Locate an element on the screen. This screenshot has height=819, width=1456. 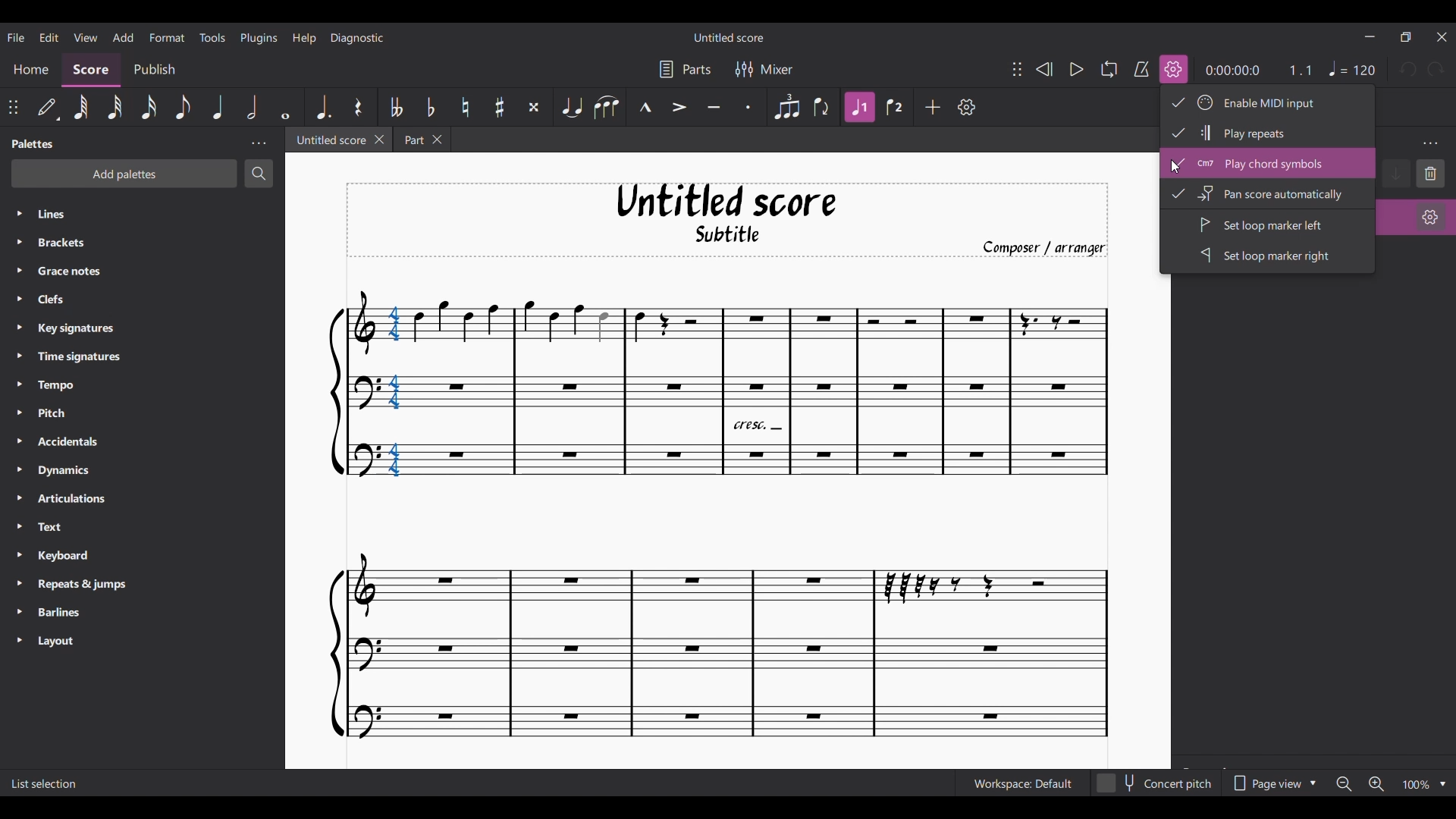
Looping playback is located at coordinates (1109, 69).